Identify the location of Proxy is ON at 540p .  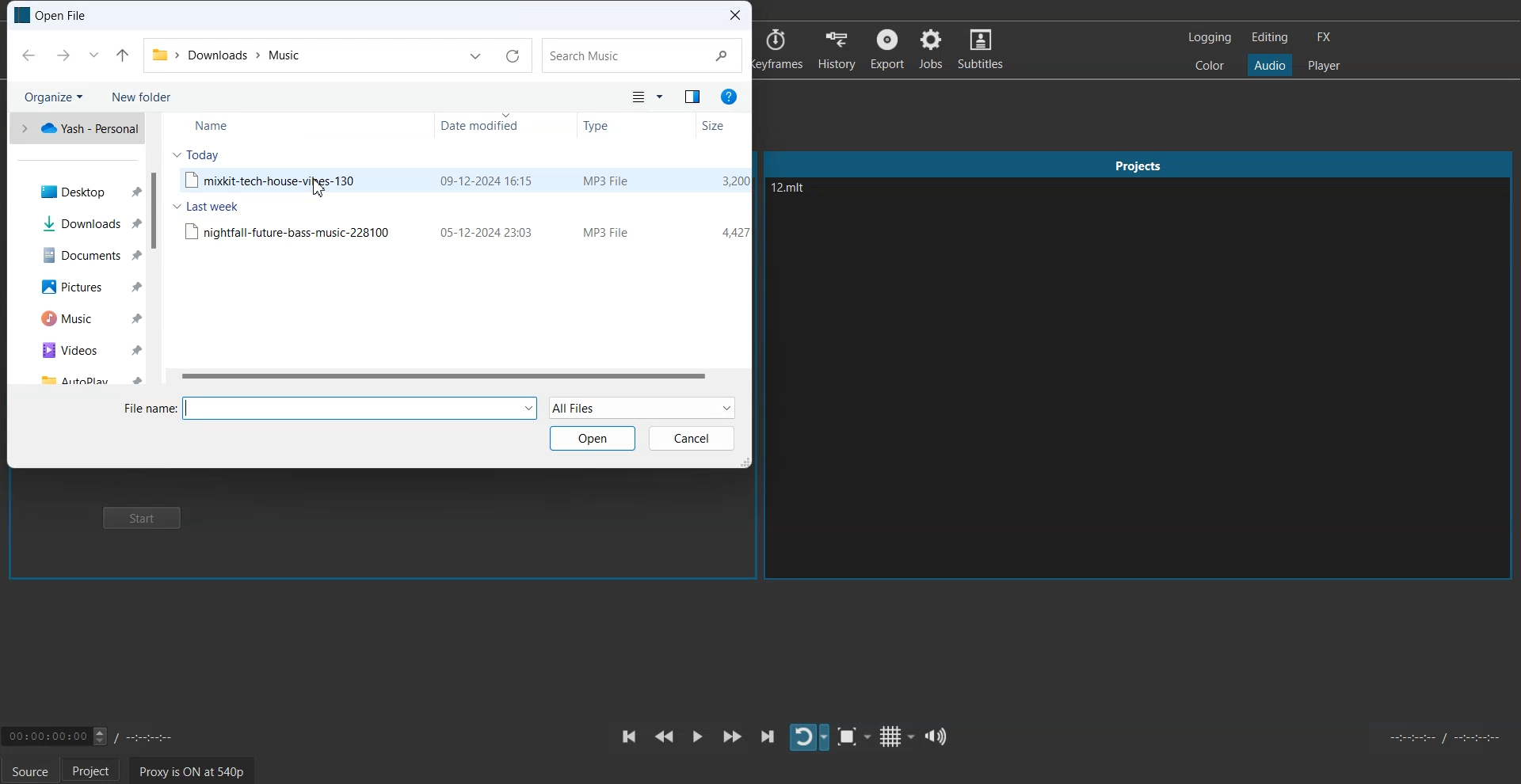
(190, 770).